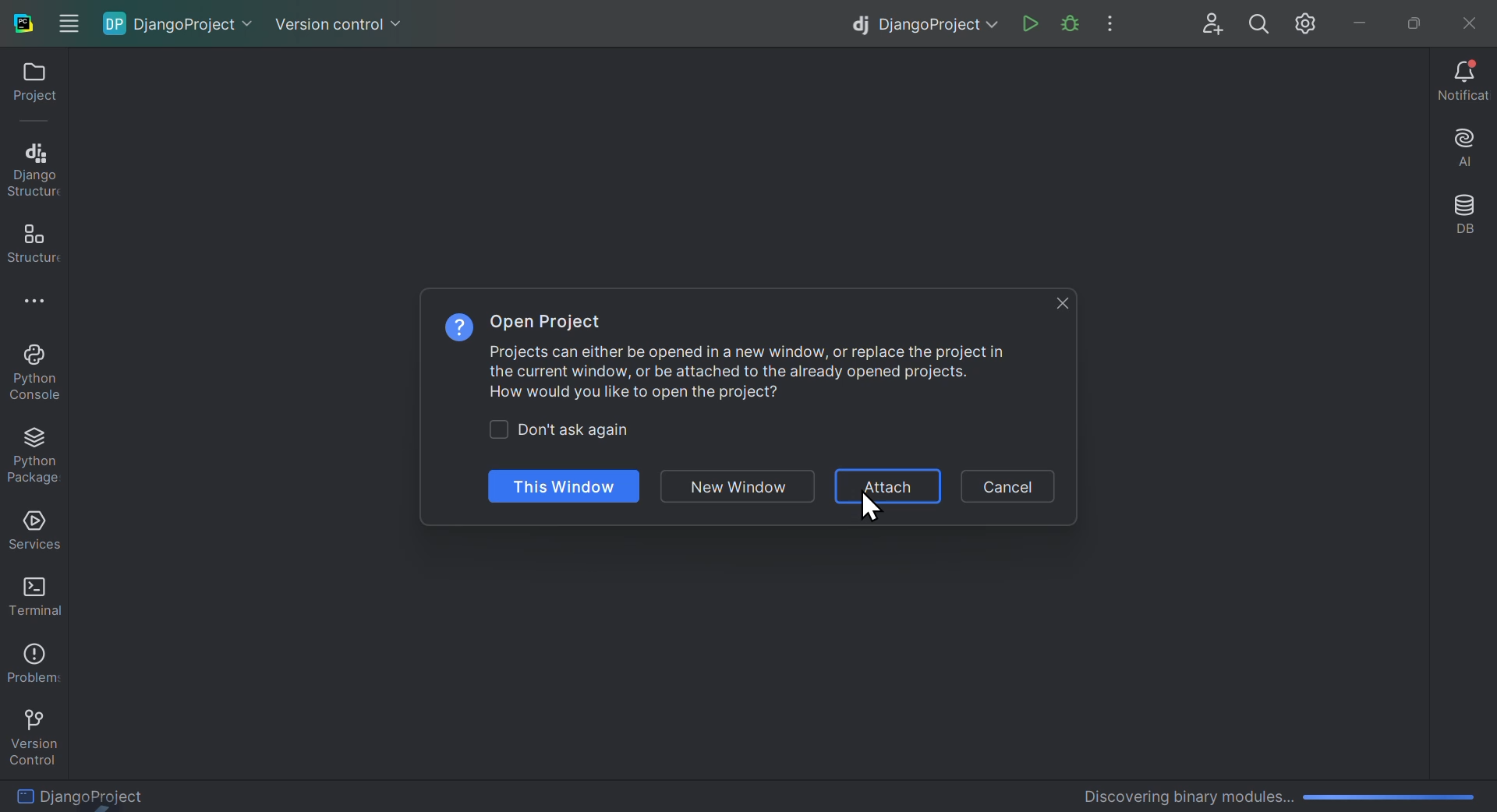 Image resolution: width=1497 pixels, height=812 pixels. I want to click on Django Project, so click(134, 793).